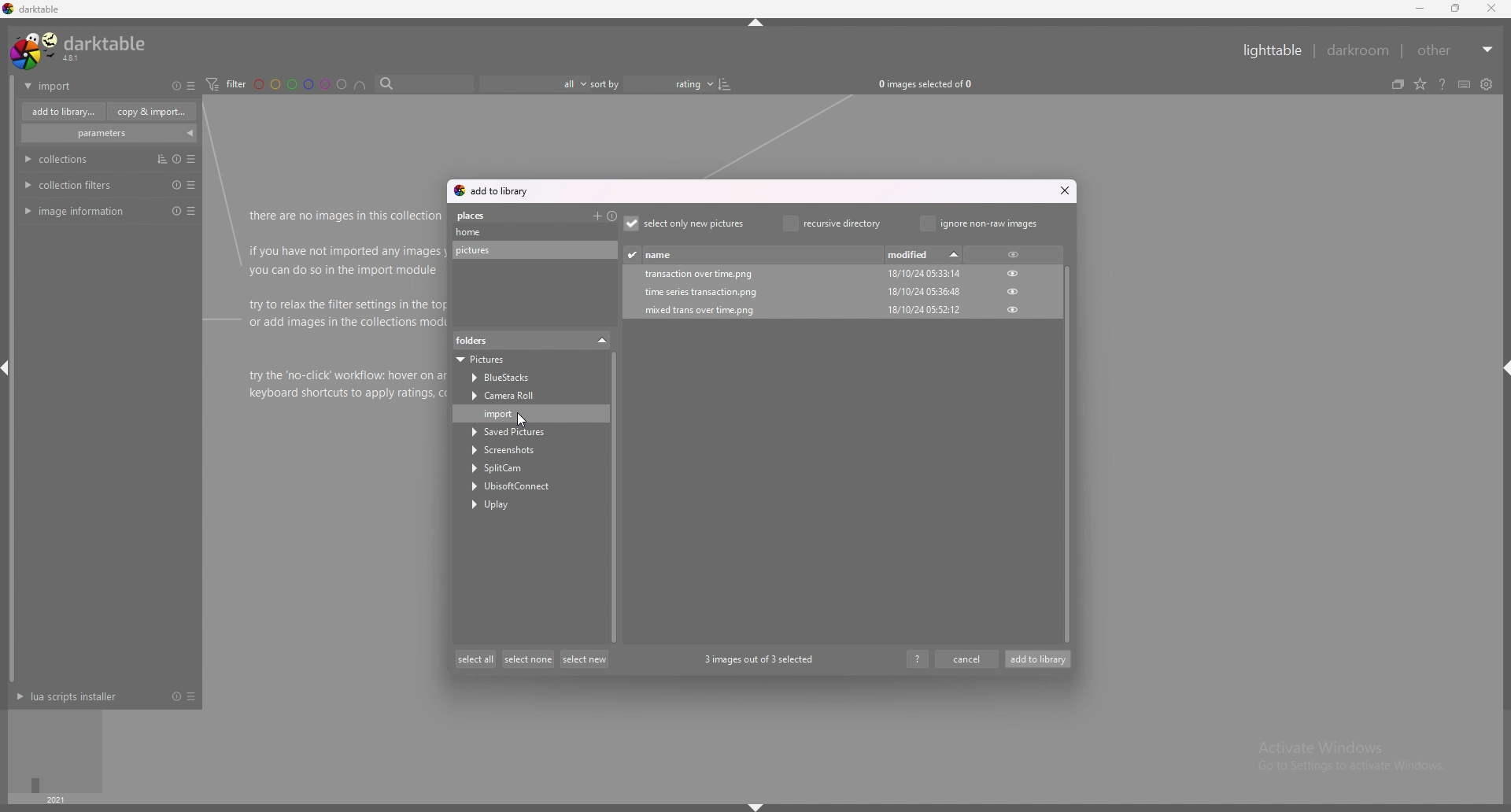 The image size is (1511, 812). What do you see at coordinates (534, 340) in the screenshot?
I see `folders` at bounding box center [534, 340].